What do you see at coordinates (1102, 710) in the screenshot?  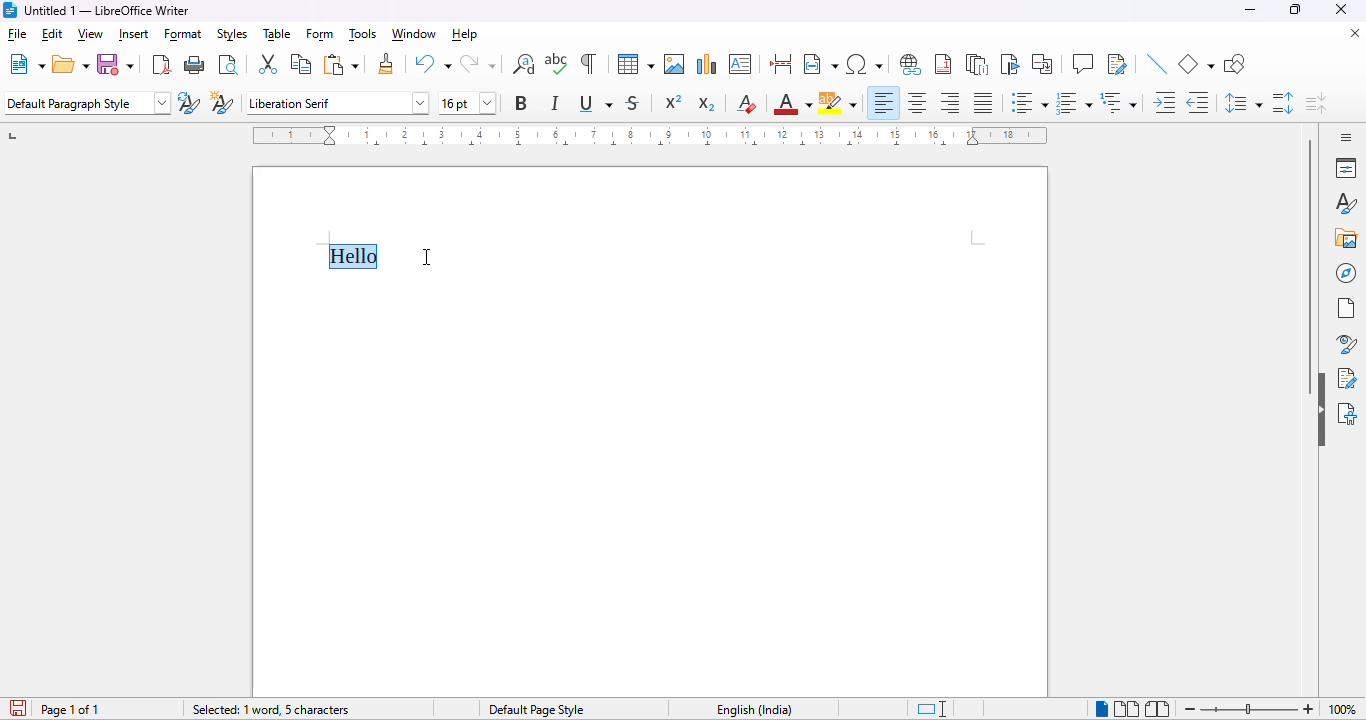 I see `single-page view` at bounding box center [1102, 710].